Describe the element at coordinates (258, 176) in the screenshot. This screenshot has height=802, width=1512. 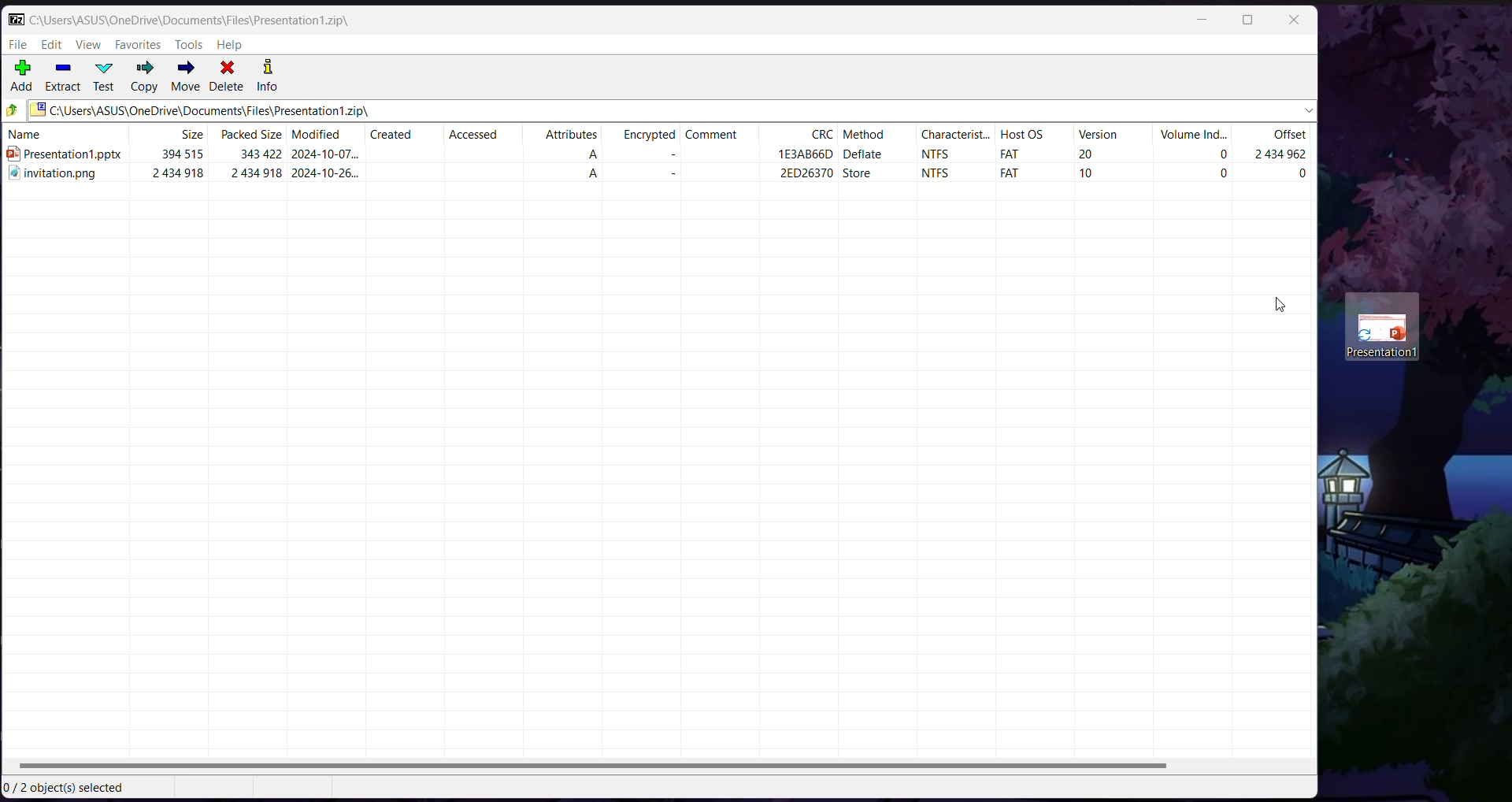
I see `2434918` at that location.